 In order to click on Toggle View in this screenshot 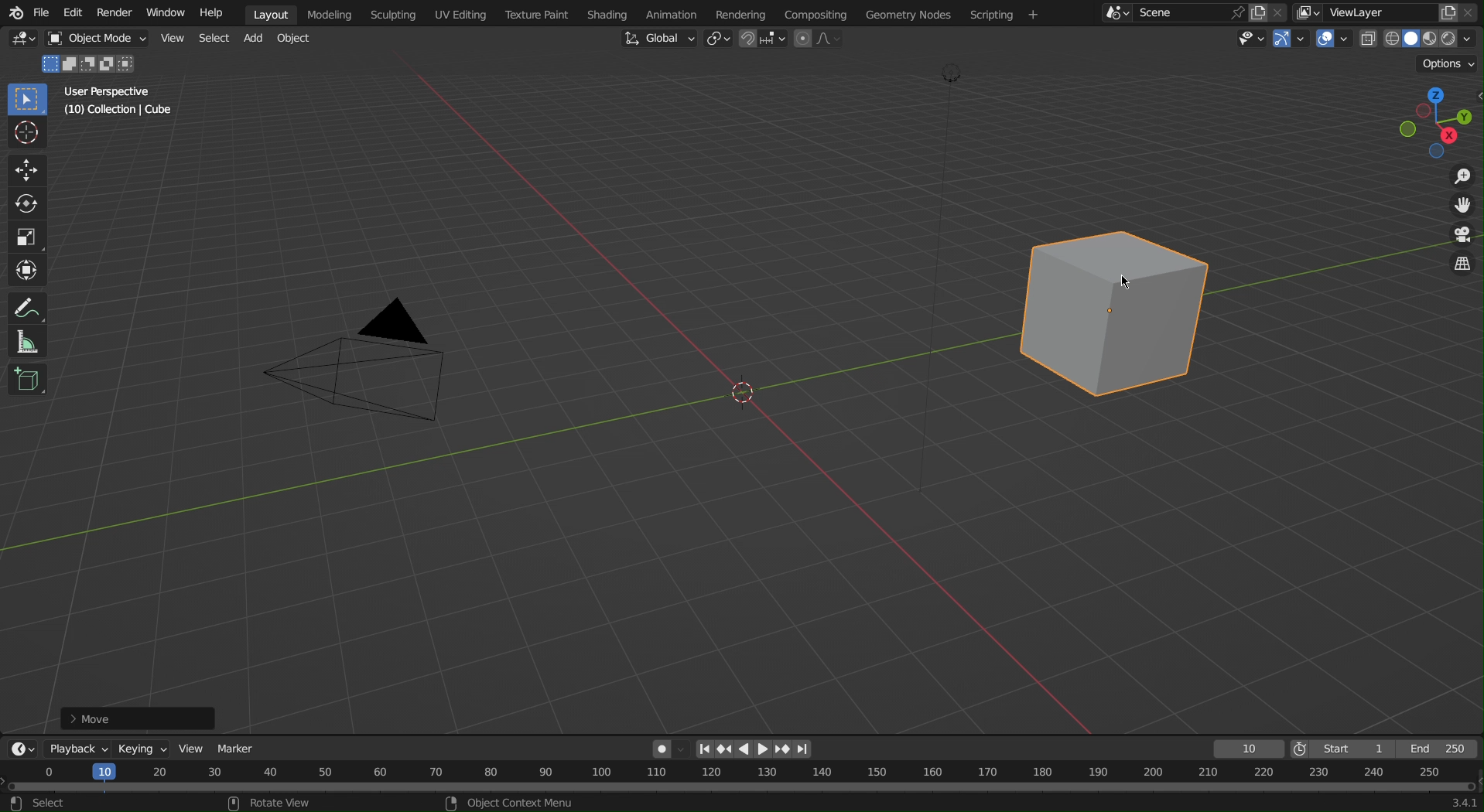, I will do `click(1460, 266)`.